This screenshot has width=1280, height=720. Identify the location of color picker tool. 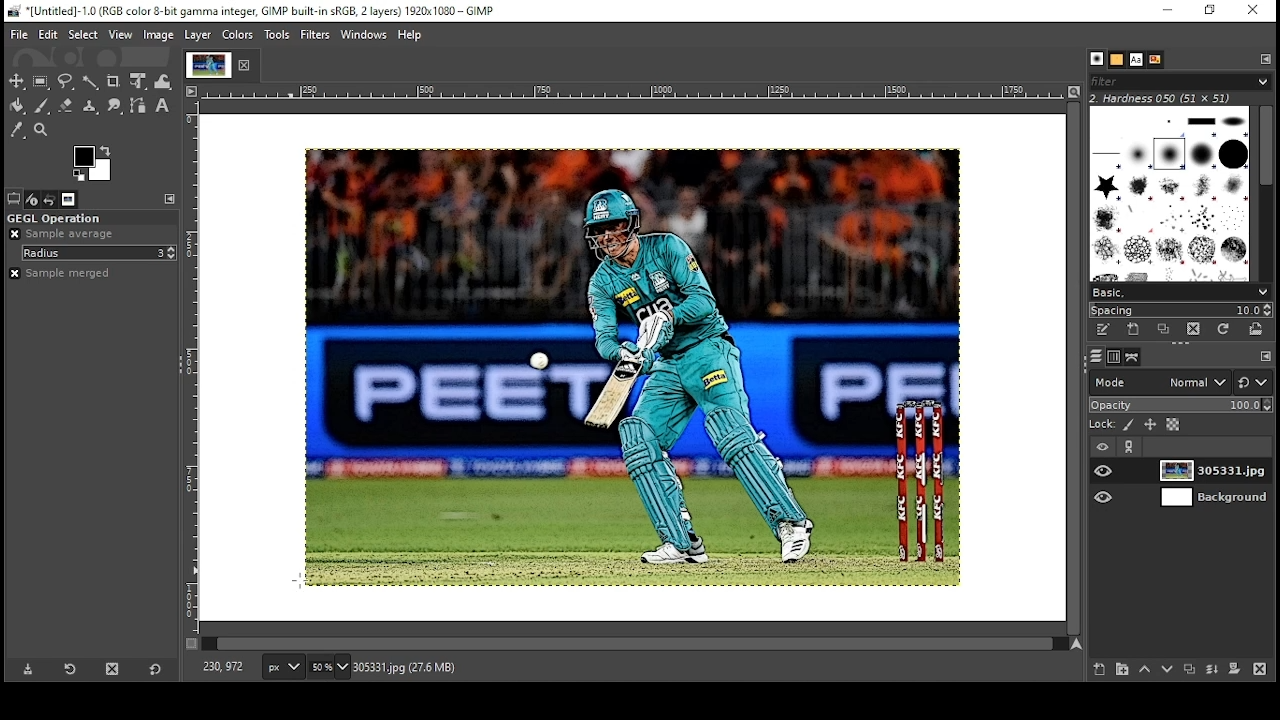
(17, 130).